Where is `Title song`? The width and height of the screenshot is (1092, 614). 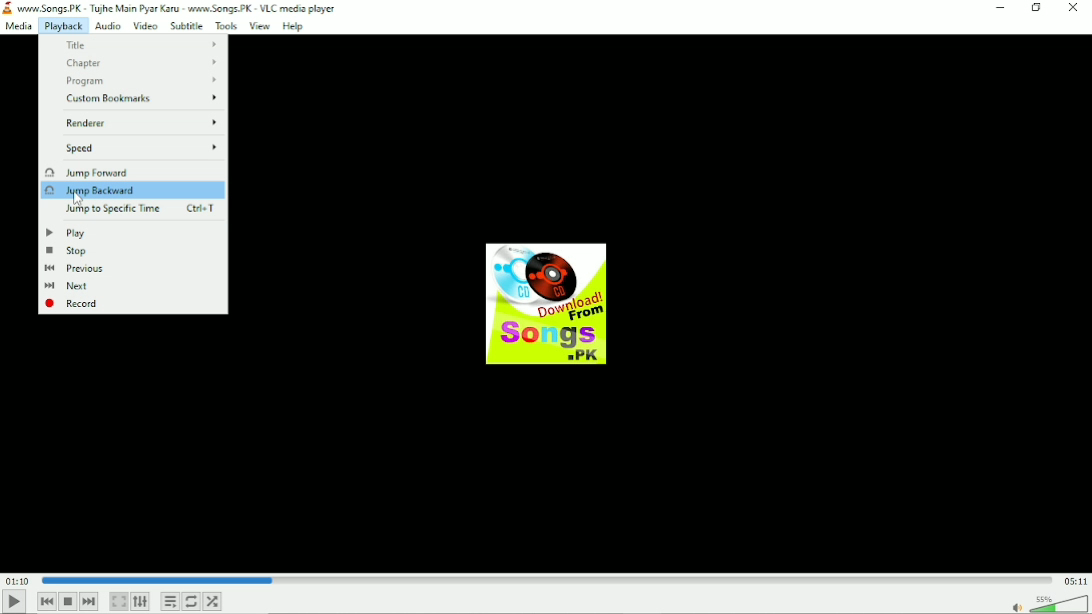 Title song is located at coordinates (183, 8).